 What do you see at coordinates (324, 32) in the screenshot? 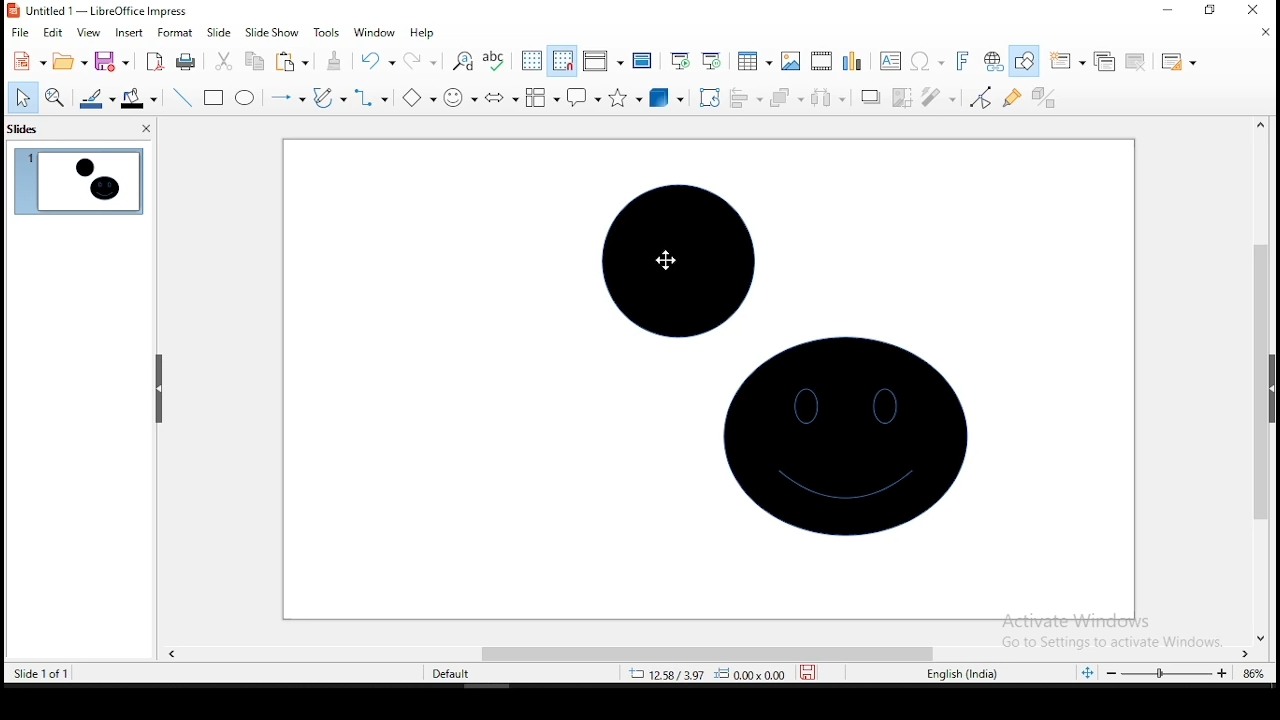
I see `tools` at bounding box center [324, 32].